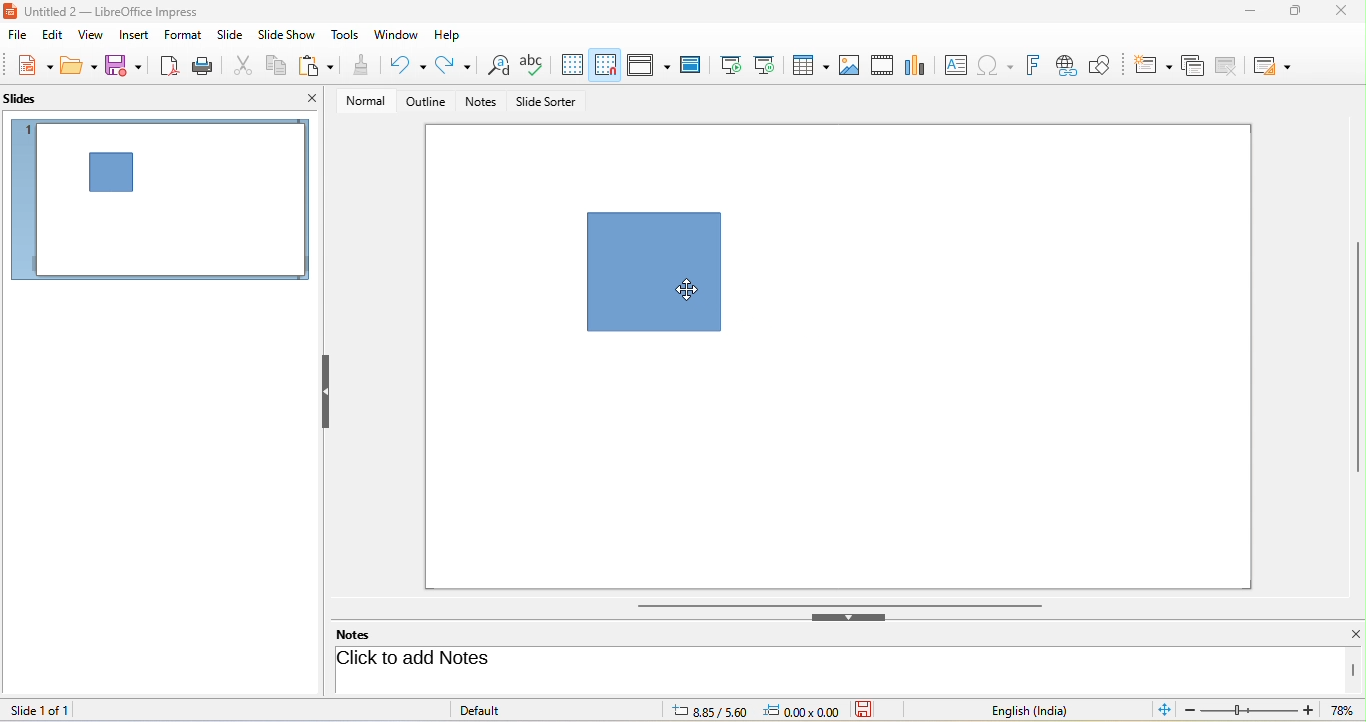  Describe the element at coordinates (1288, 15) in the screenshot. I see `maximize` at that location.